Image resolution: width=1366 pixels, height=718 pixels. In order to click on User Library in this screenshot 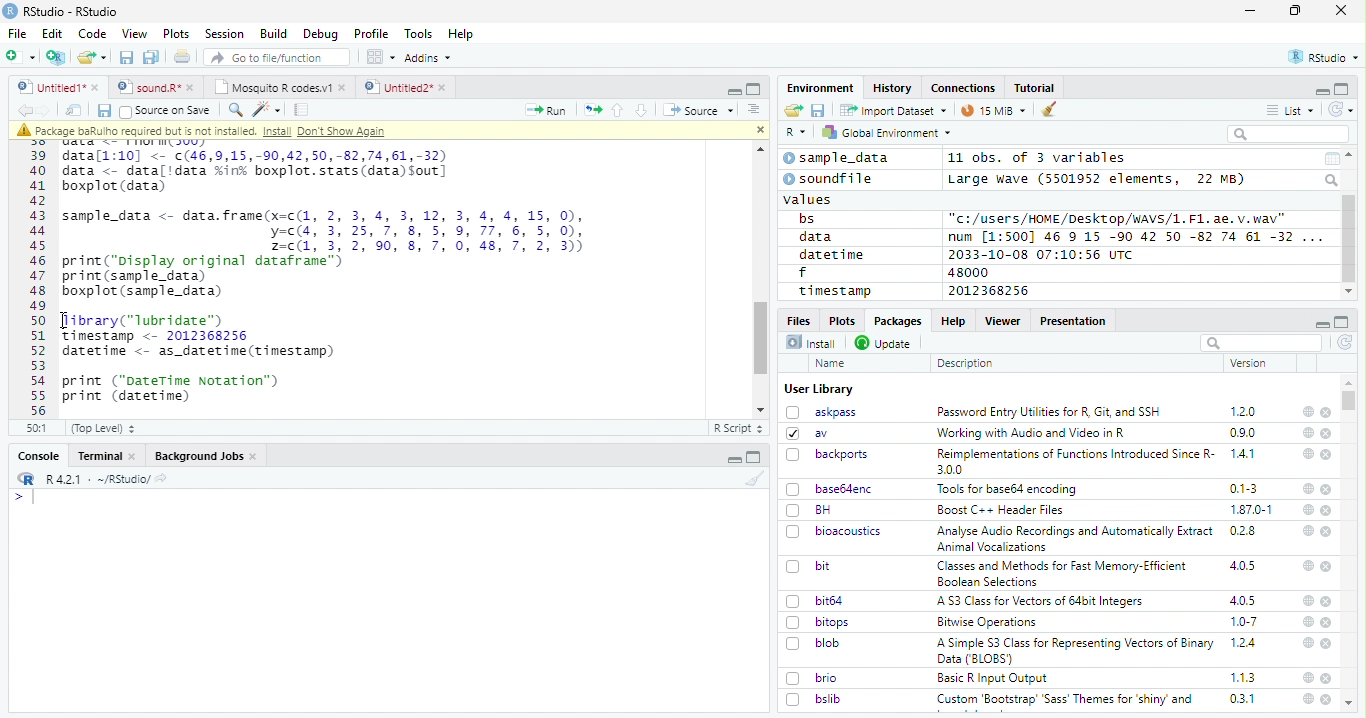, I will do `click(819, 389)`.